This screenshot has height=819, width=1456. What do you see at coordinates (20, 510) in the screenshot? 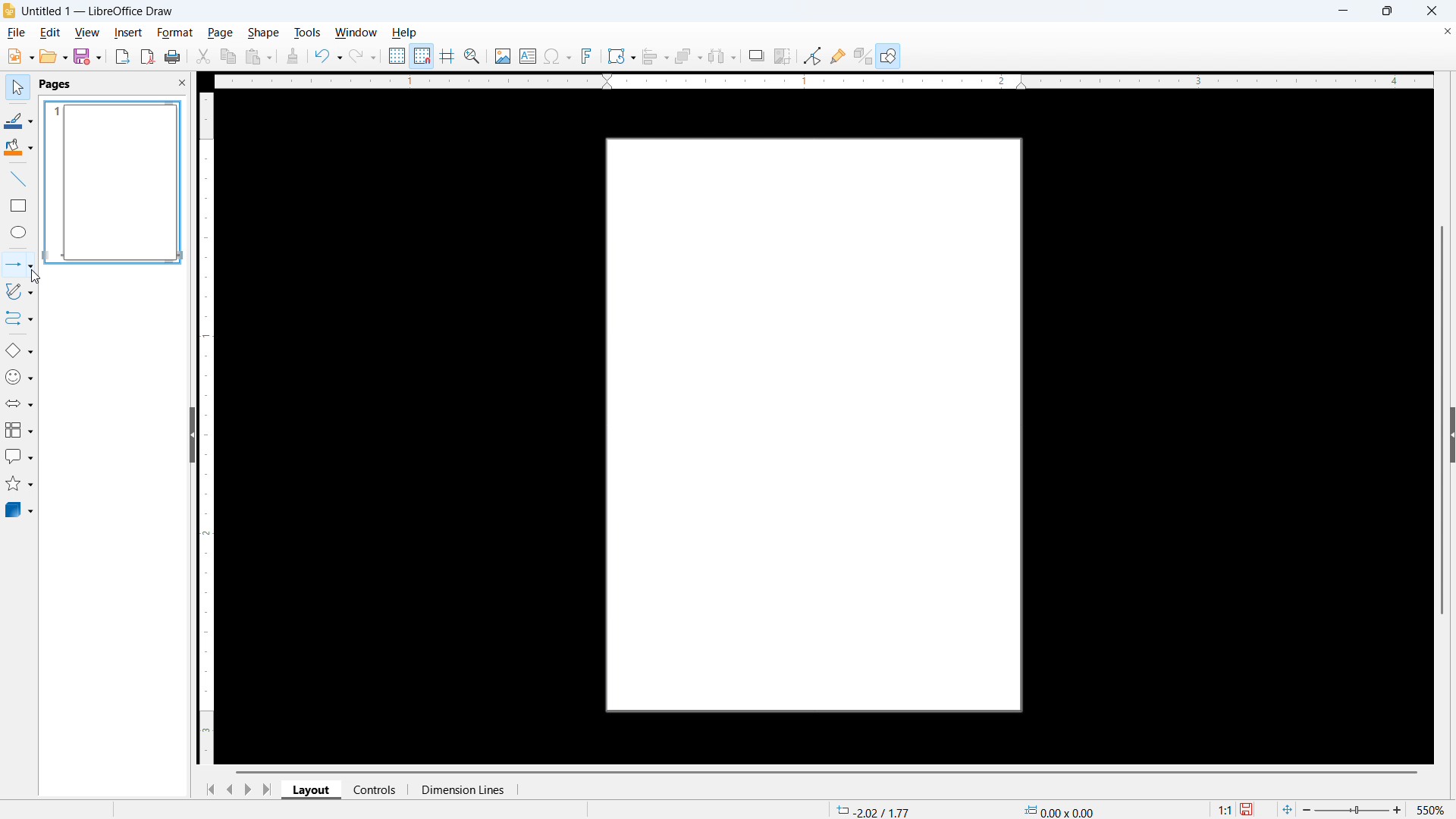
I see `3d objects` at bounding box center [20, 510].